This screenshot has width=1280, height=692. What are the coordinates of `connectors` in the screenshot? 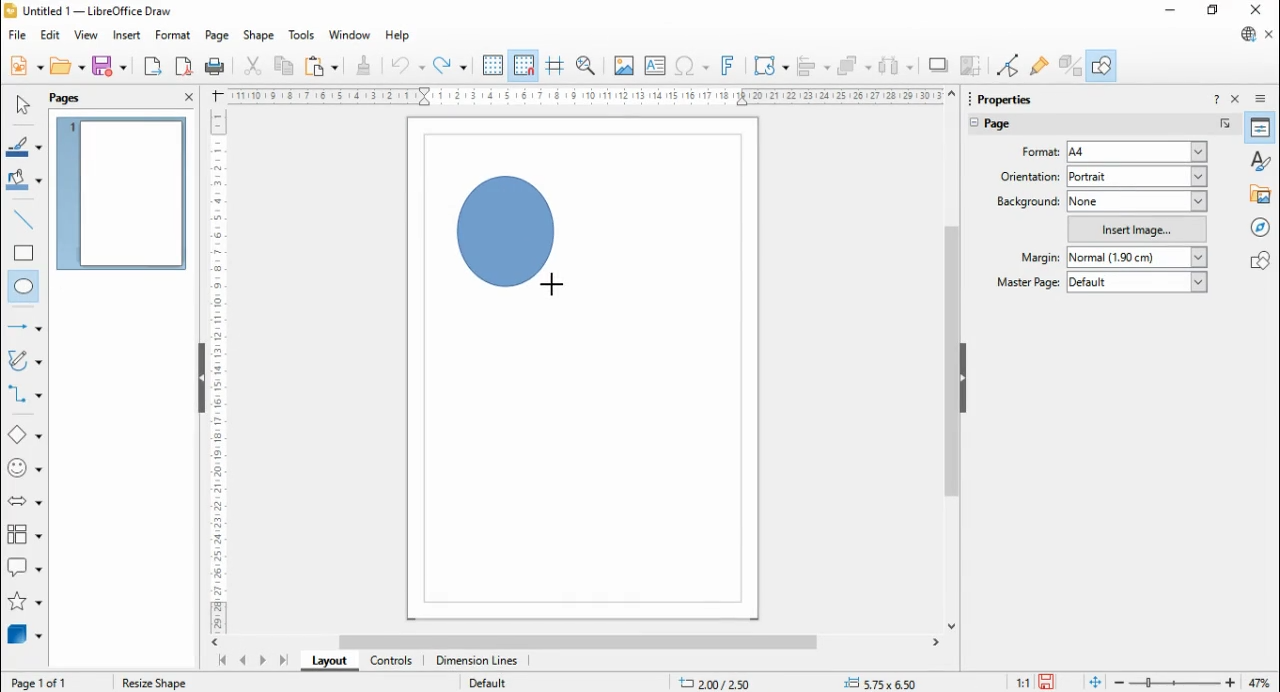 It's located at (25, 394).